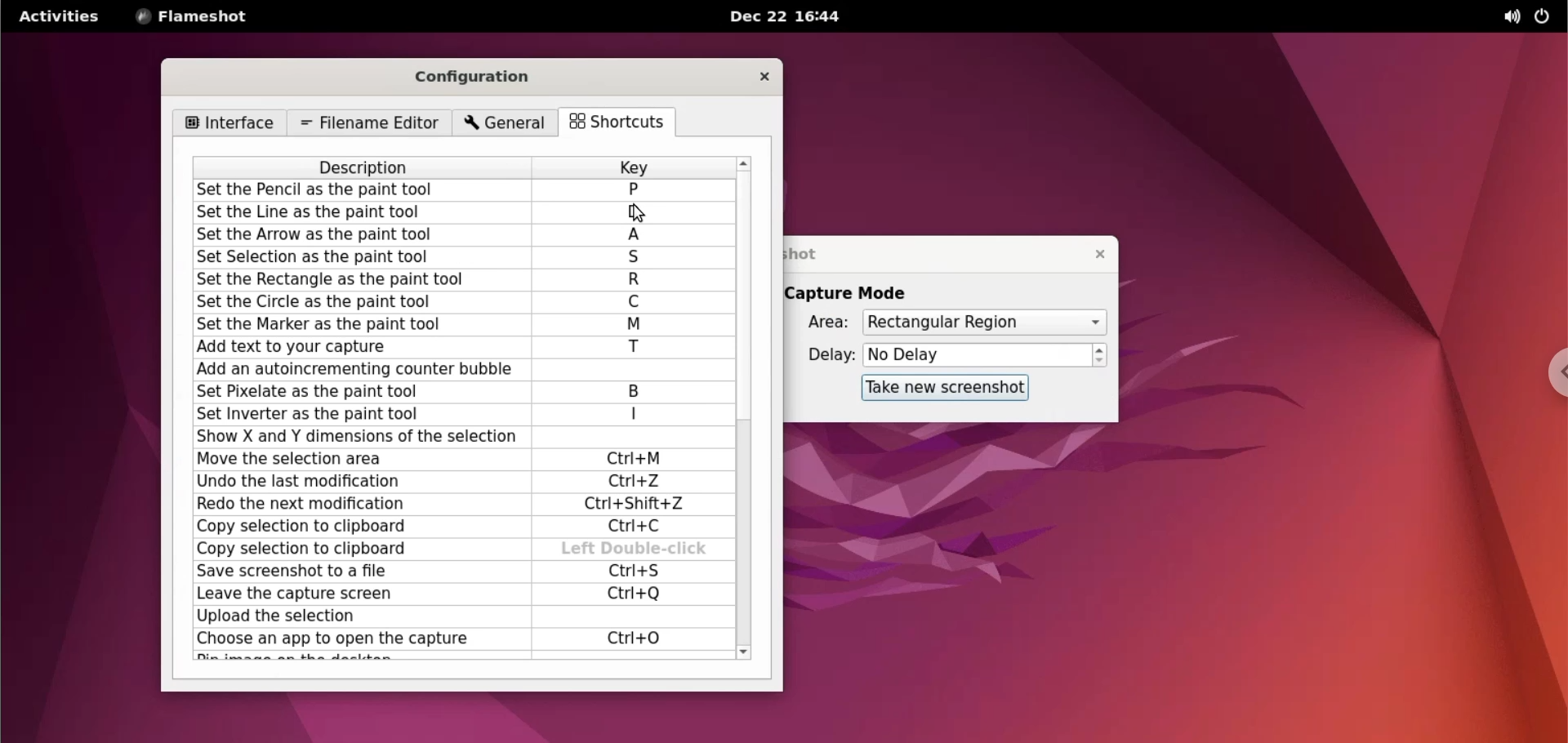 Image resolution: width=1568 pixels, height=743 pixels. What do you see at coordinates (635, 302) in the screenshot?
I see `C ` at bounding box center [635, 302].